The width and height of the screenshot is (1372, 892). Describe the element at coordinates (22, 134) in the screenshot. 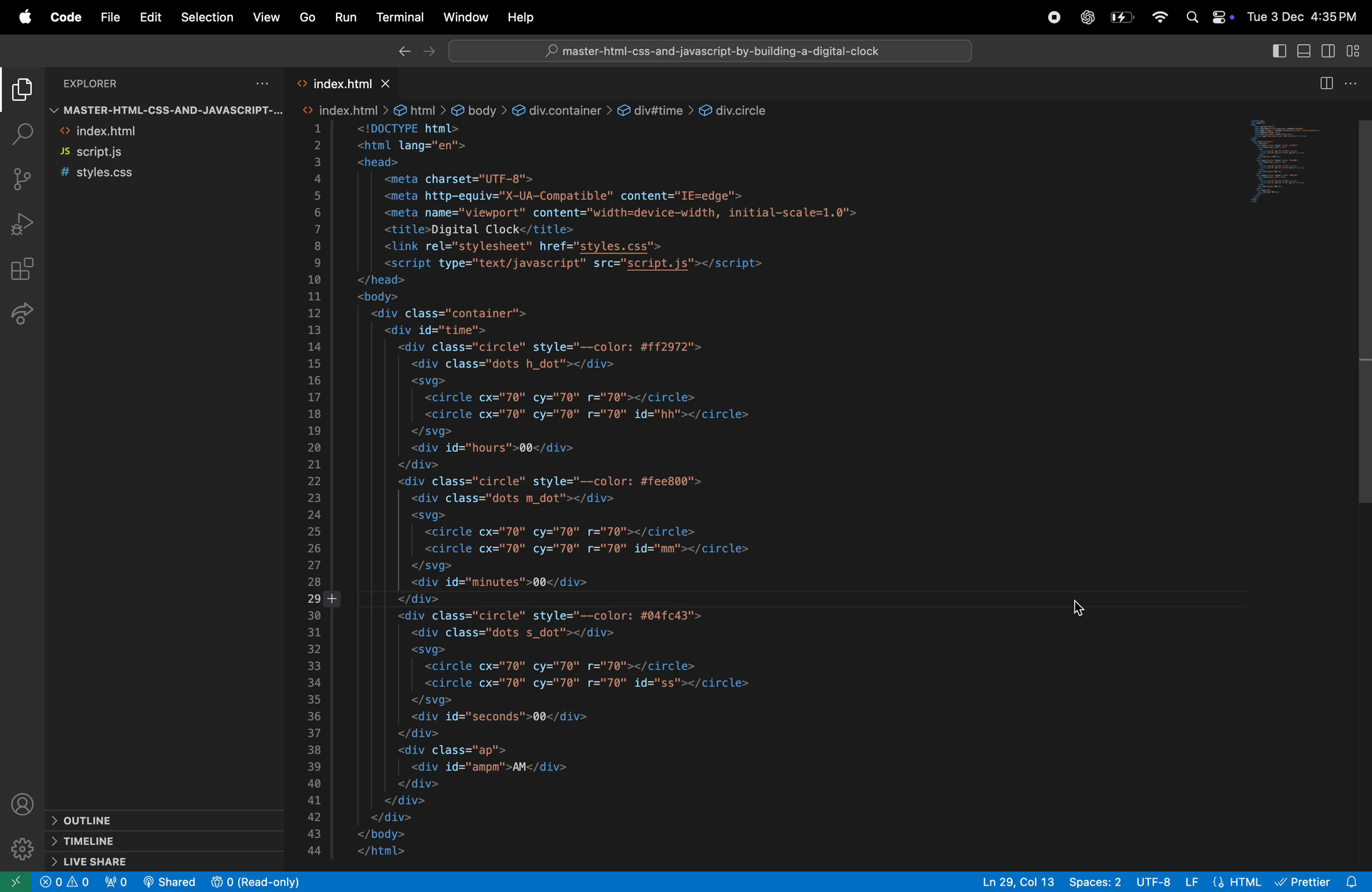

I see `search` at that location.